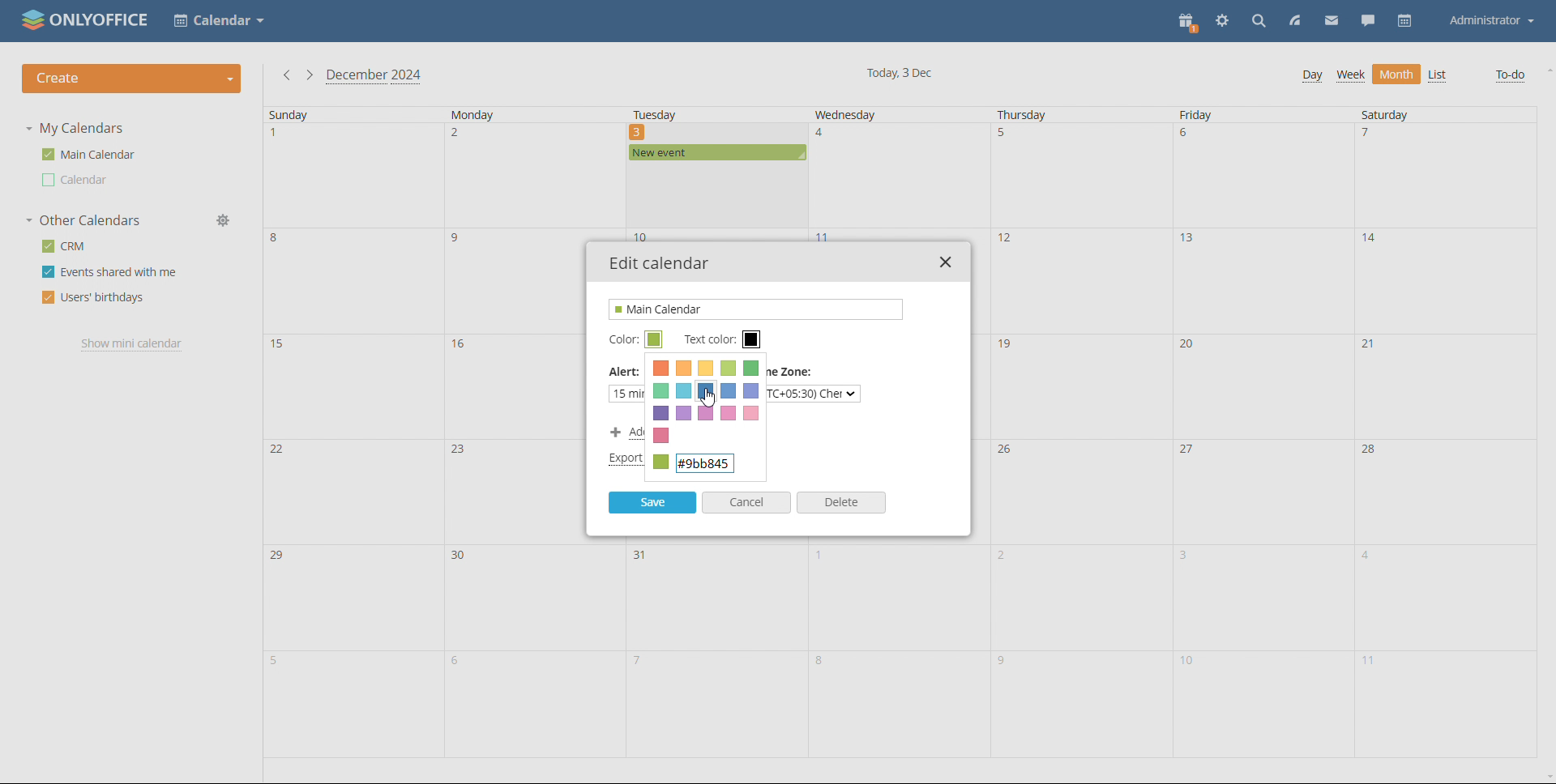 The image size is (1556, 784). Describe the element at coordinates (898, 705) in the screenshot. I see `date` at that location.